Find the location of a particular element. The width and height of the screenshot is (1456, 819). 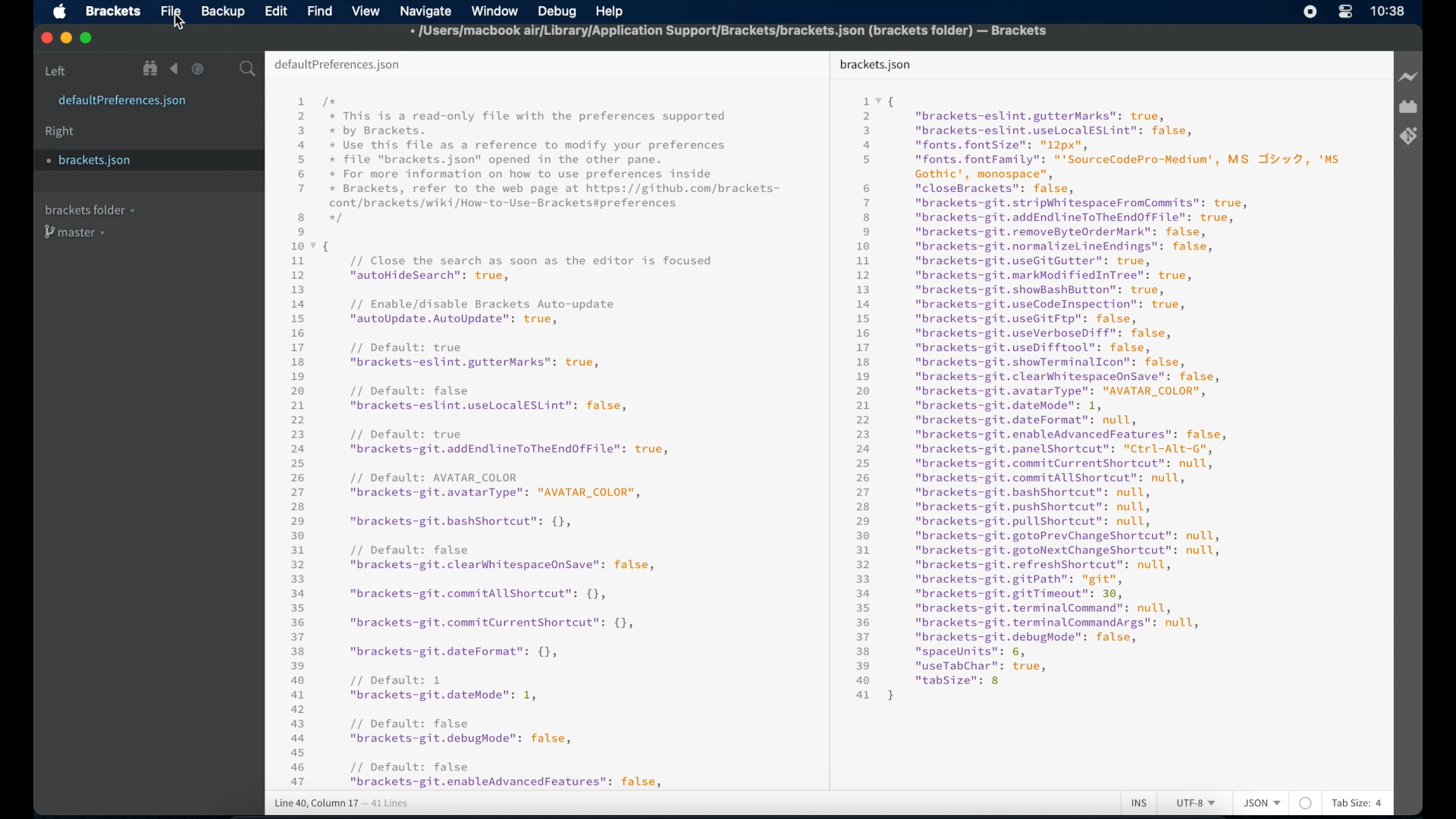

time is located at coordinates (1388, 11).